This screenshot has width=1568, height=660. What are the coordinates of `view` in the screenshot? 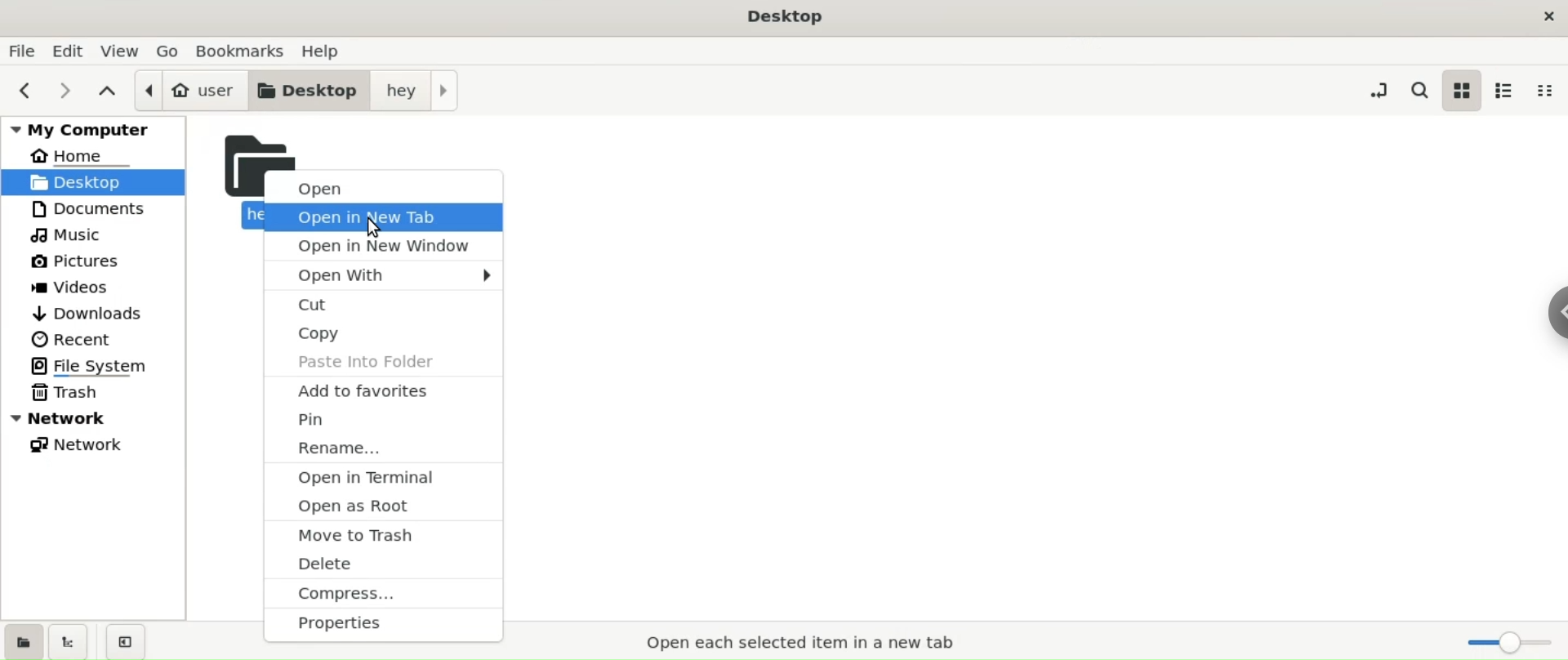 It's located at (118, 49).